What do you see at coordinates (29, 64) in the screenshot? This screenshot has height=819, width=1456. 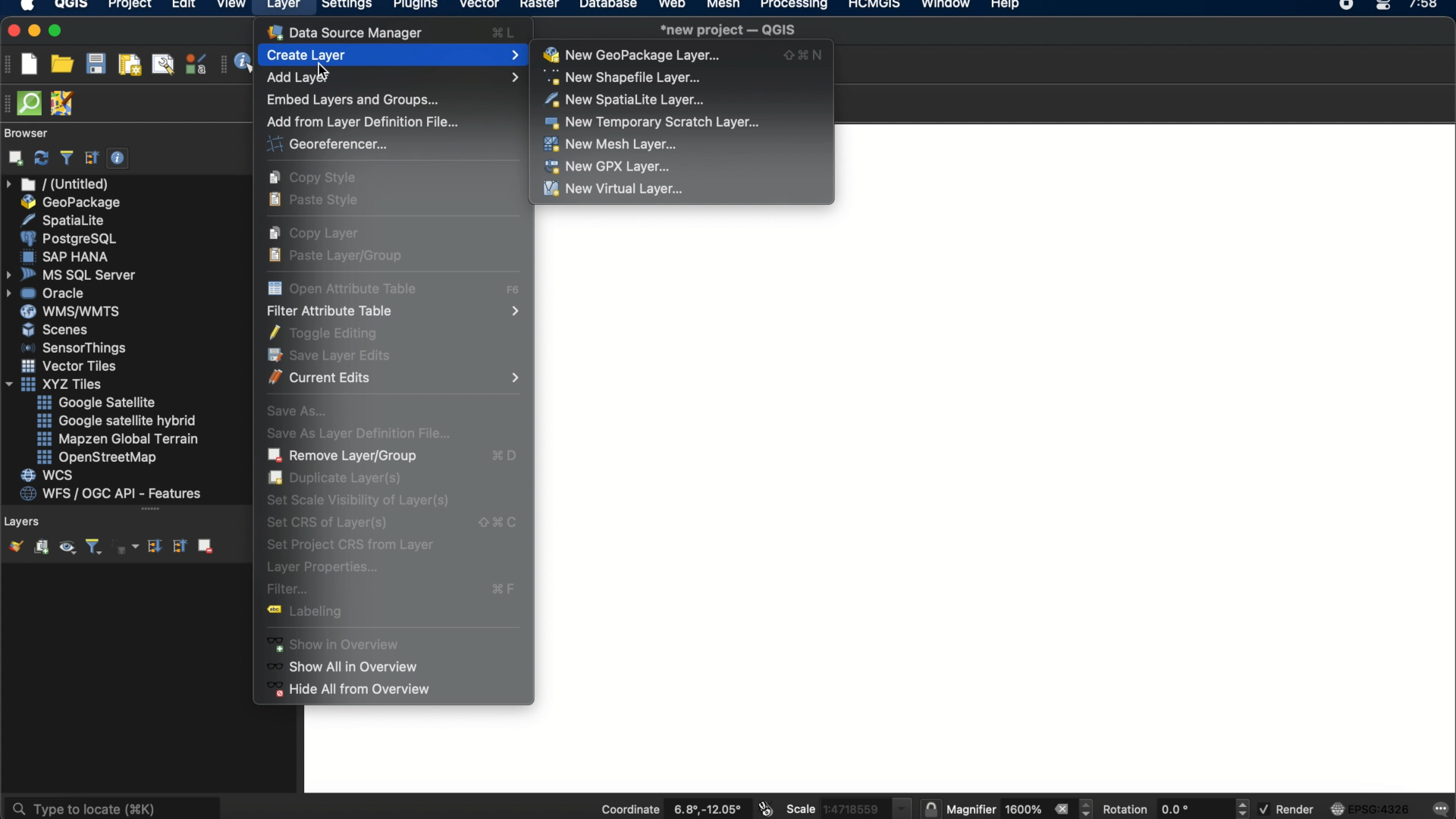 I see `new project` at bounding box center [29, 64].